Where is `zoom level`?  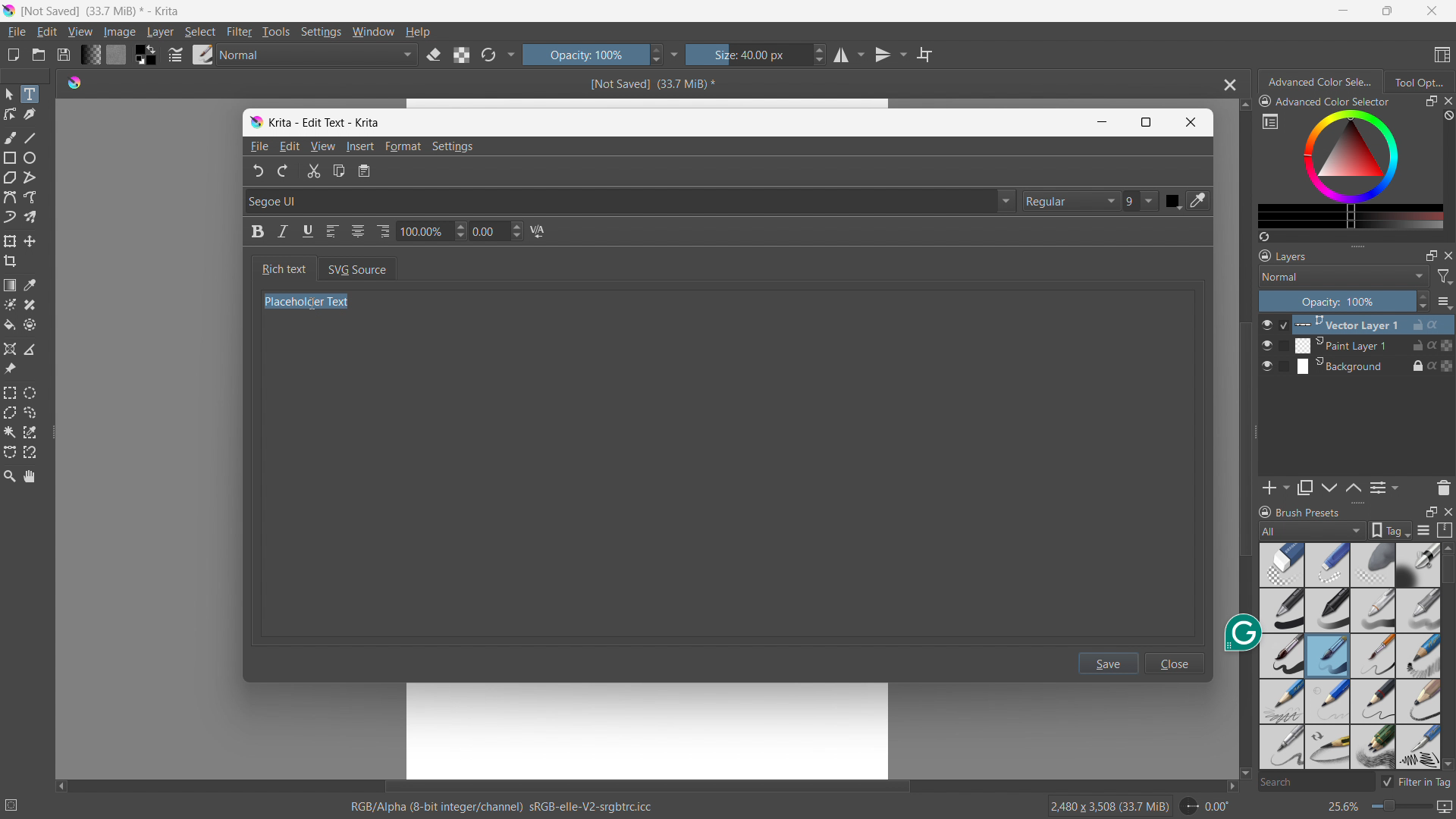 zoom level is located at coordinates (1389, 808).